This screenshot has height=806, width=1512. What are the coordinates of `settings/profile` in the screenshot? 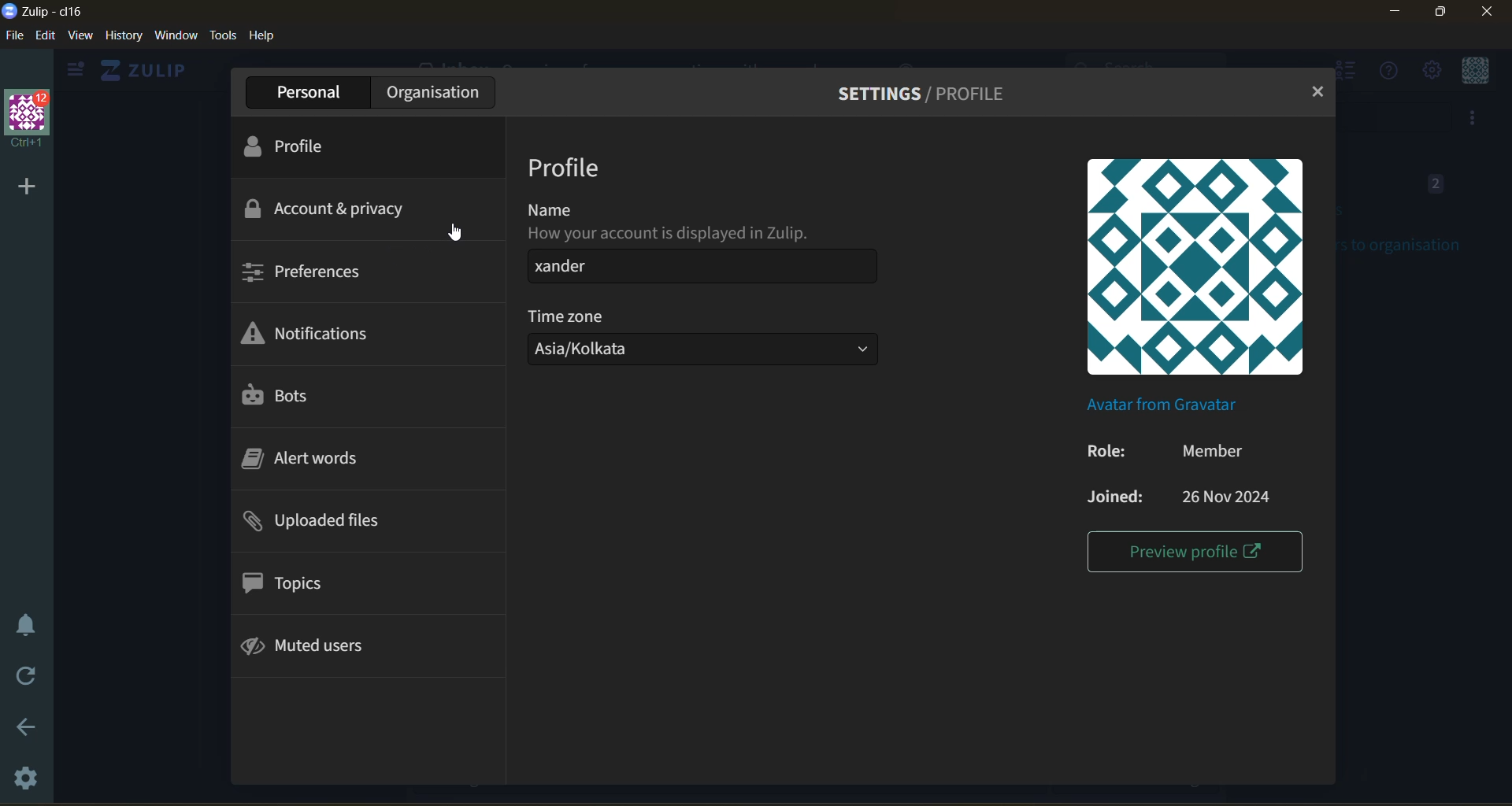 It's located at (922, 93).